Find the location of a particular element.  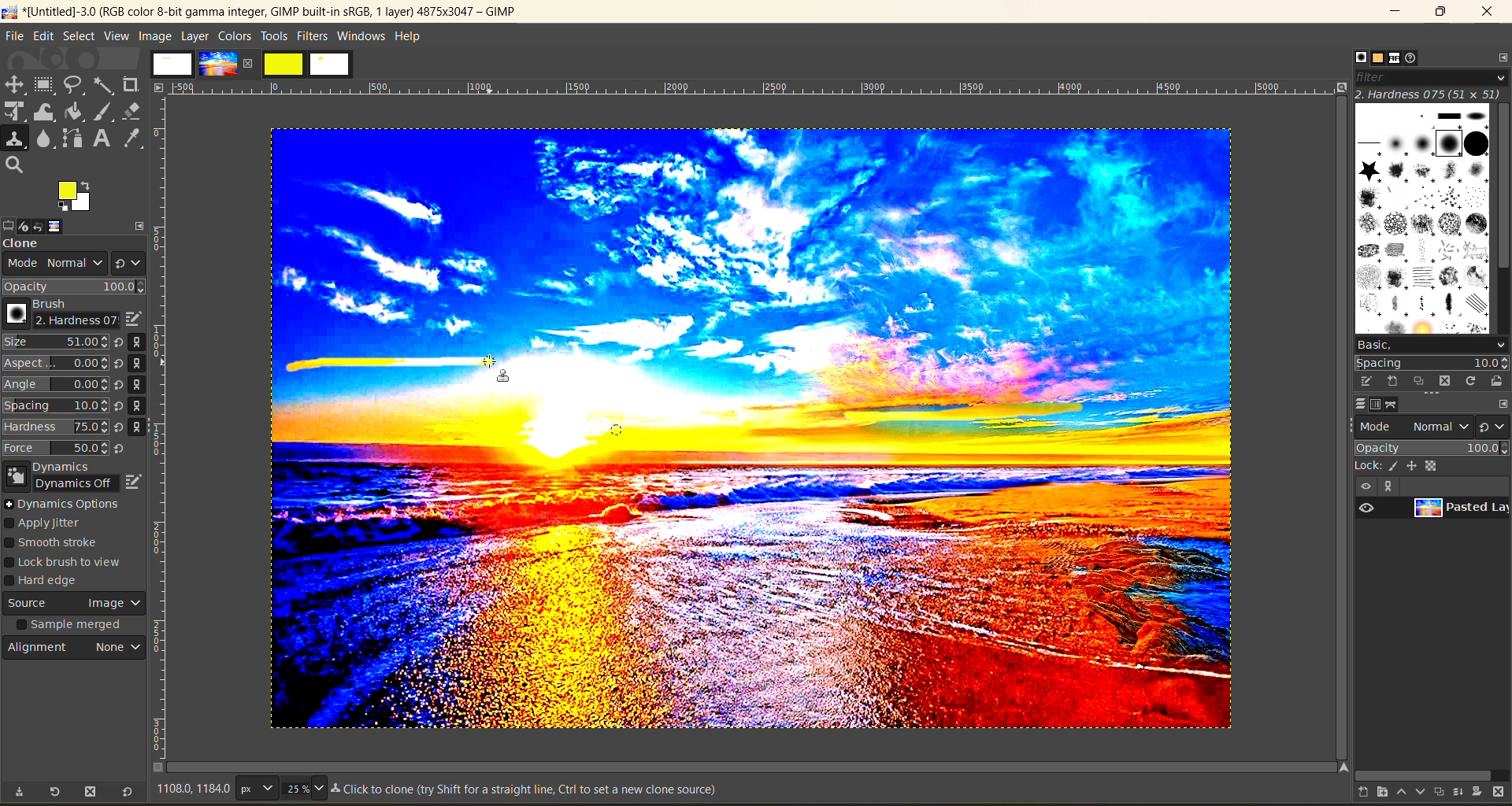

raise this layer is located at coordinates (1395, 793).